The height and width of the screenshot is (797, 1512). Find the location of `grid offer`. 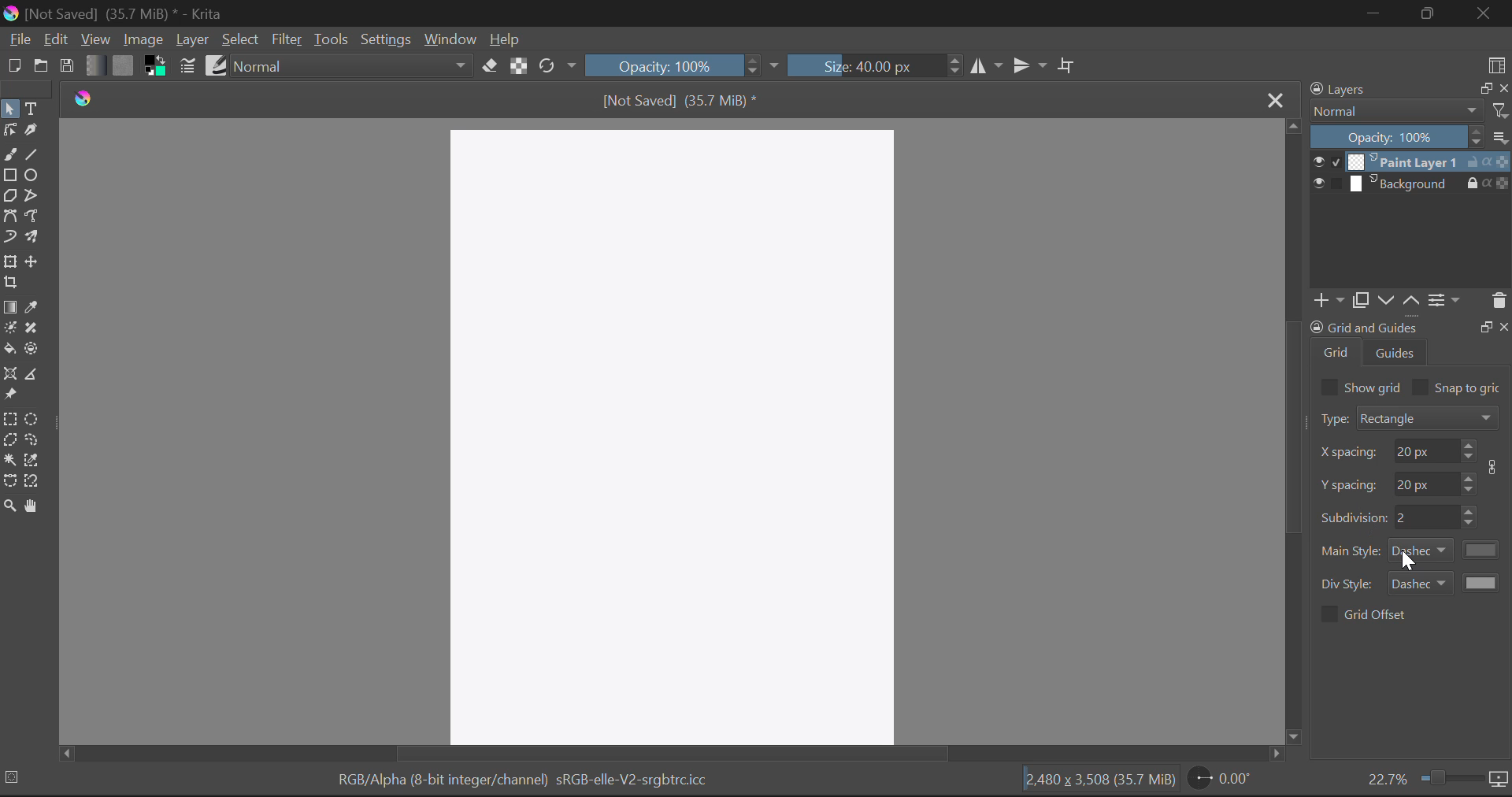

grid offer is located at coordinates (1377, 614).